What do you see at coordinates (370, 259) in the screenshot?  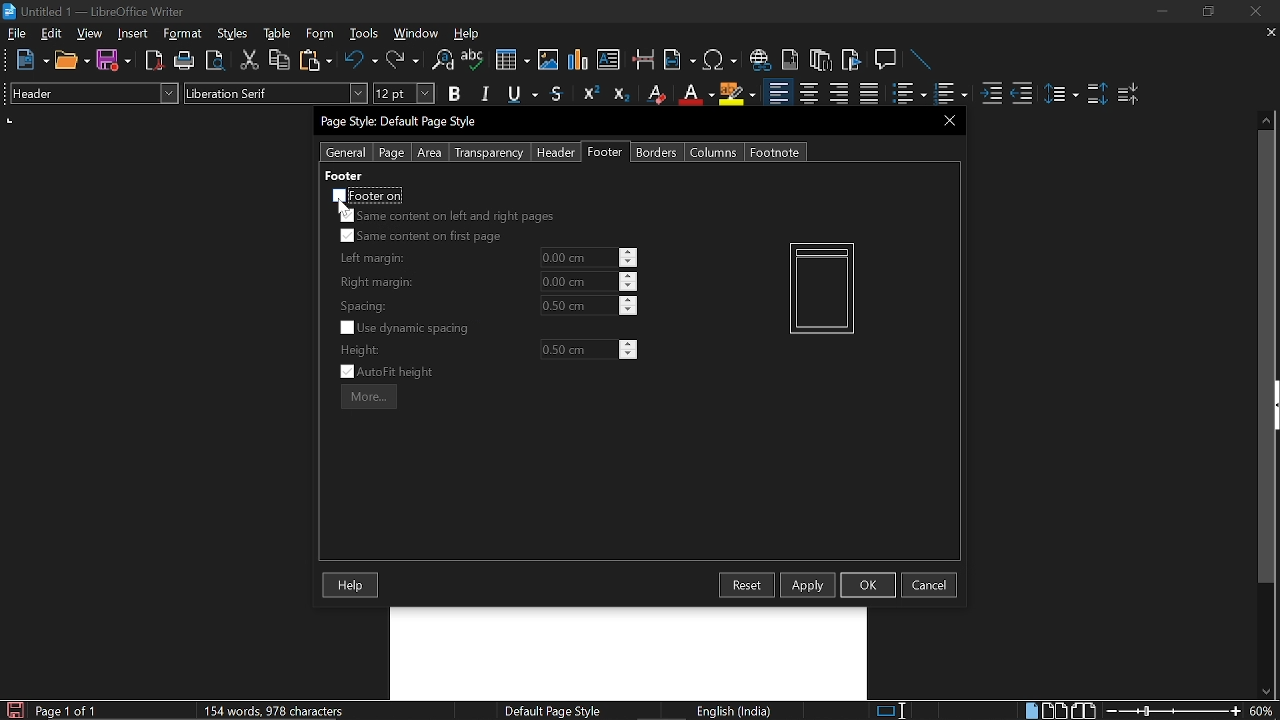 I see `left margin` at bounding box center [370, 259].